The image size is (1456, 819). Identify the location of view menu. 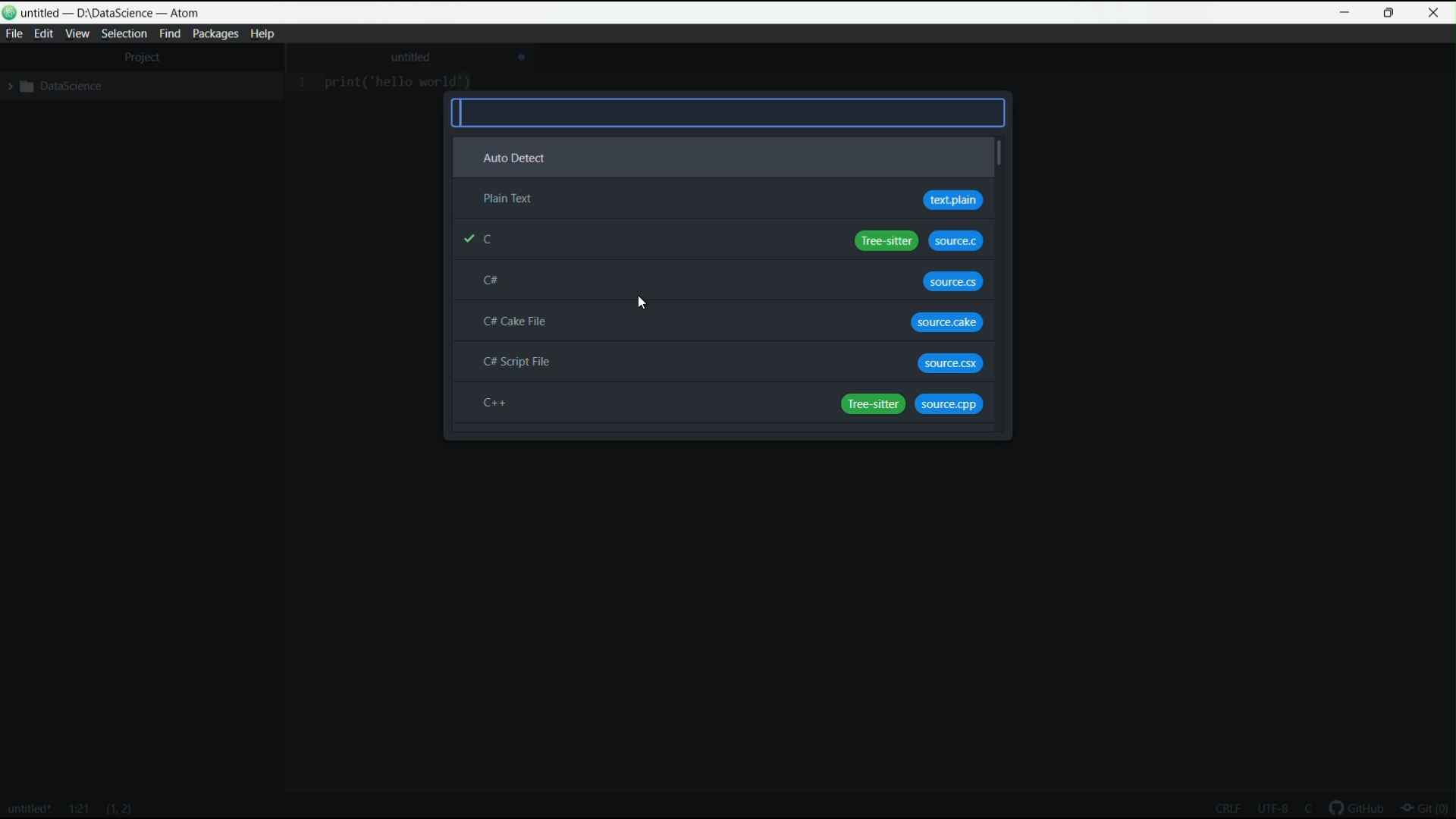
(77, 34).